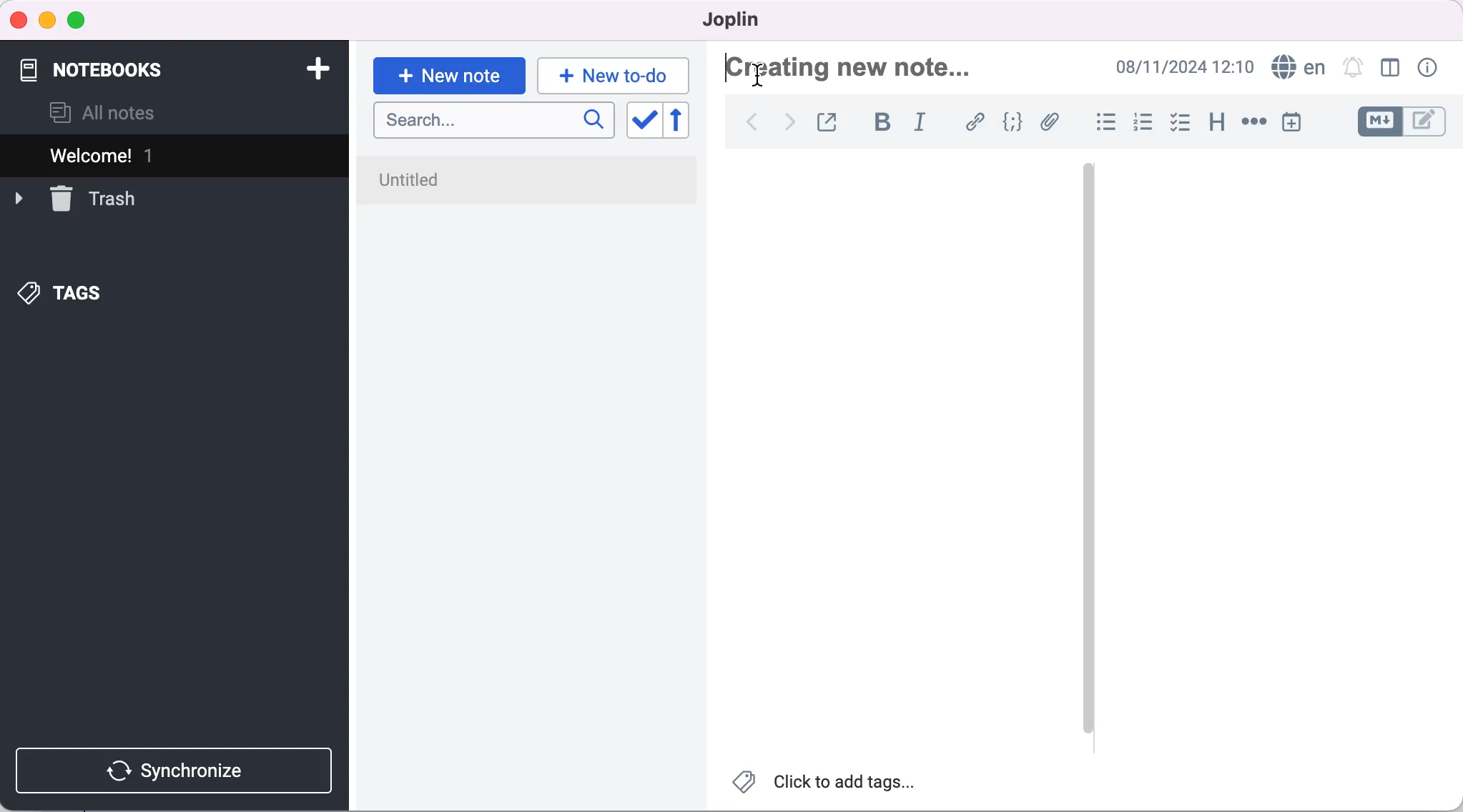 This screenshot has width=1463, height=812. I want to click on tags, so click(75, 291).